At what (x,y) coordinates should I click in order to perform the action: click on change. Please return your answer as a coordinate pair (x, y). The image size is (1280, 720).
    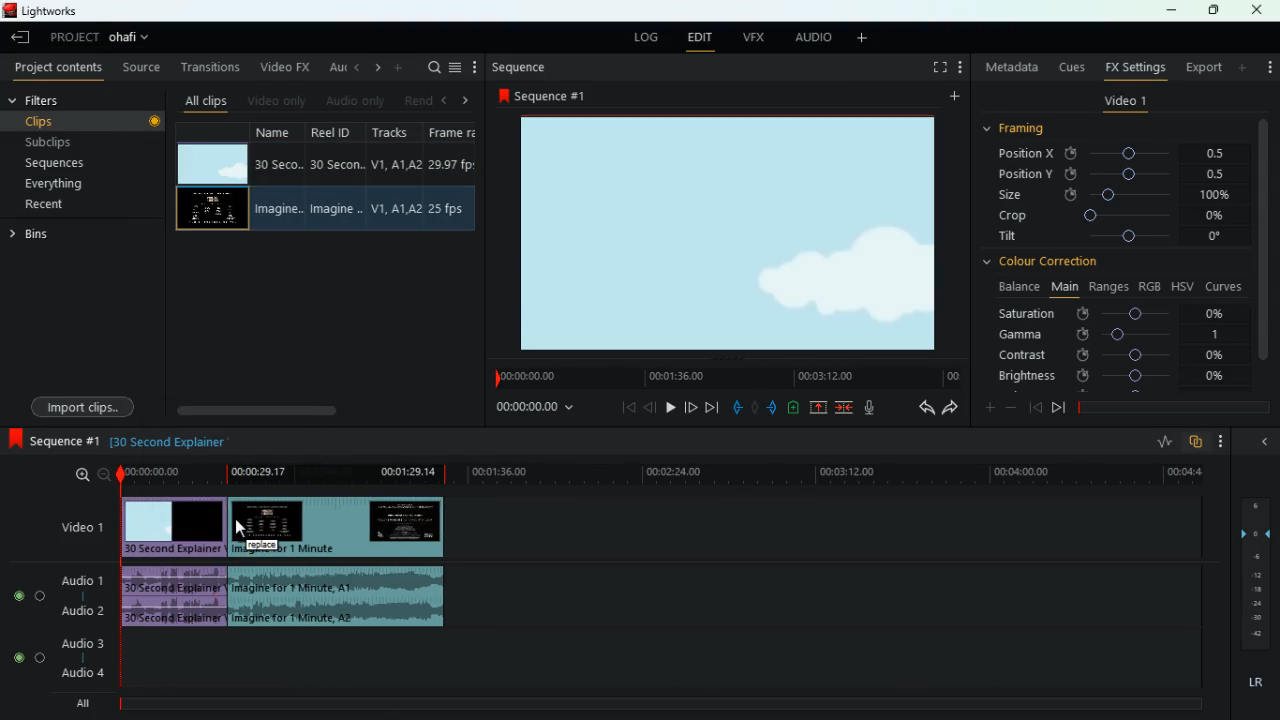
    Looking at the image, I should click on (374, 68).